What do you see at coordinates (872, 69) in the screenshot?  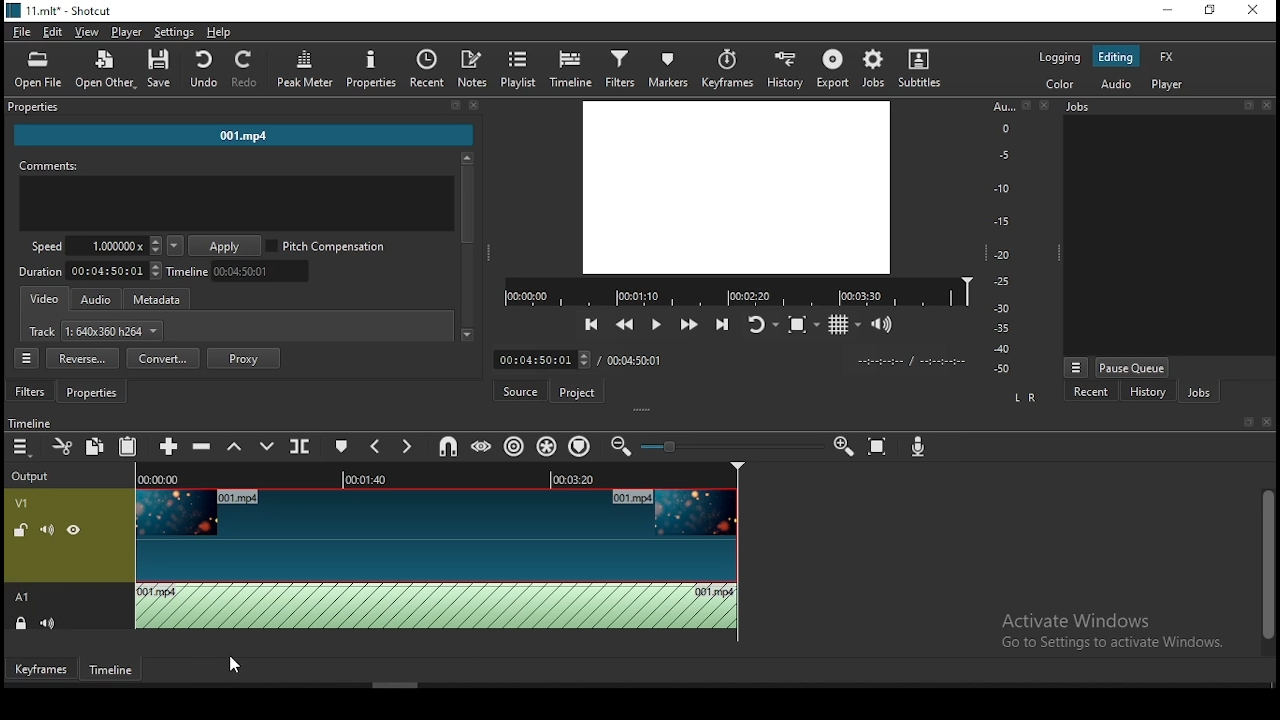 I see `jobs` at bounding box center [872, 69].